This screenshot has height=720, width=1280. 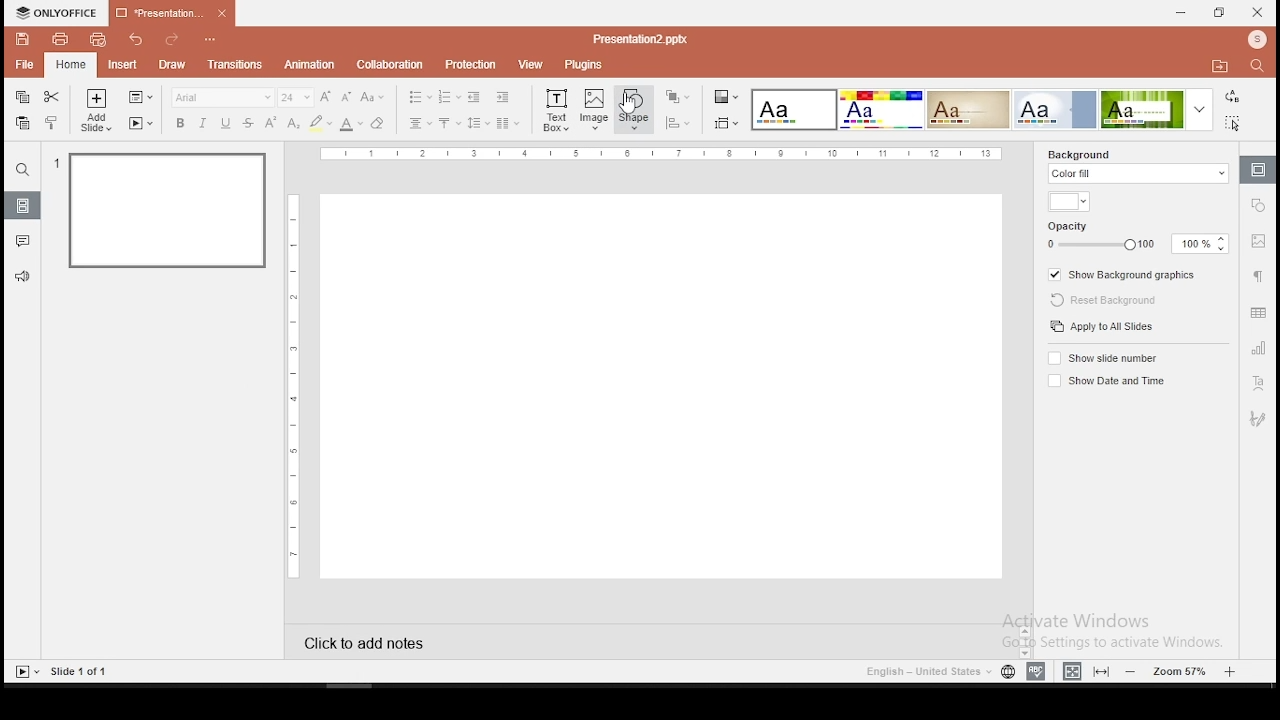 What do you see at coordinates (269, 121) in the screenshot?
I see `superscript` at bounding box center [269, 121].